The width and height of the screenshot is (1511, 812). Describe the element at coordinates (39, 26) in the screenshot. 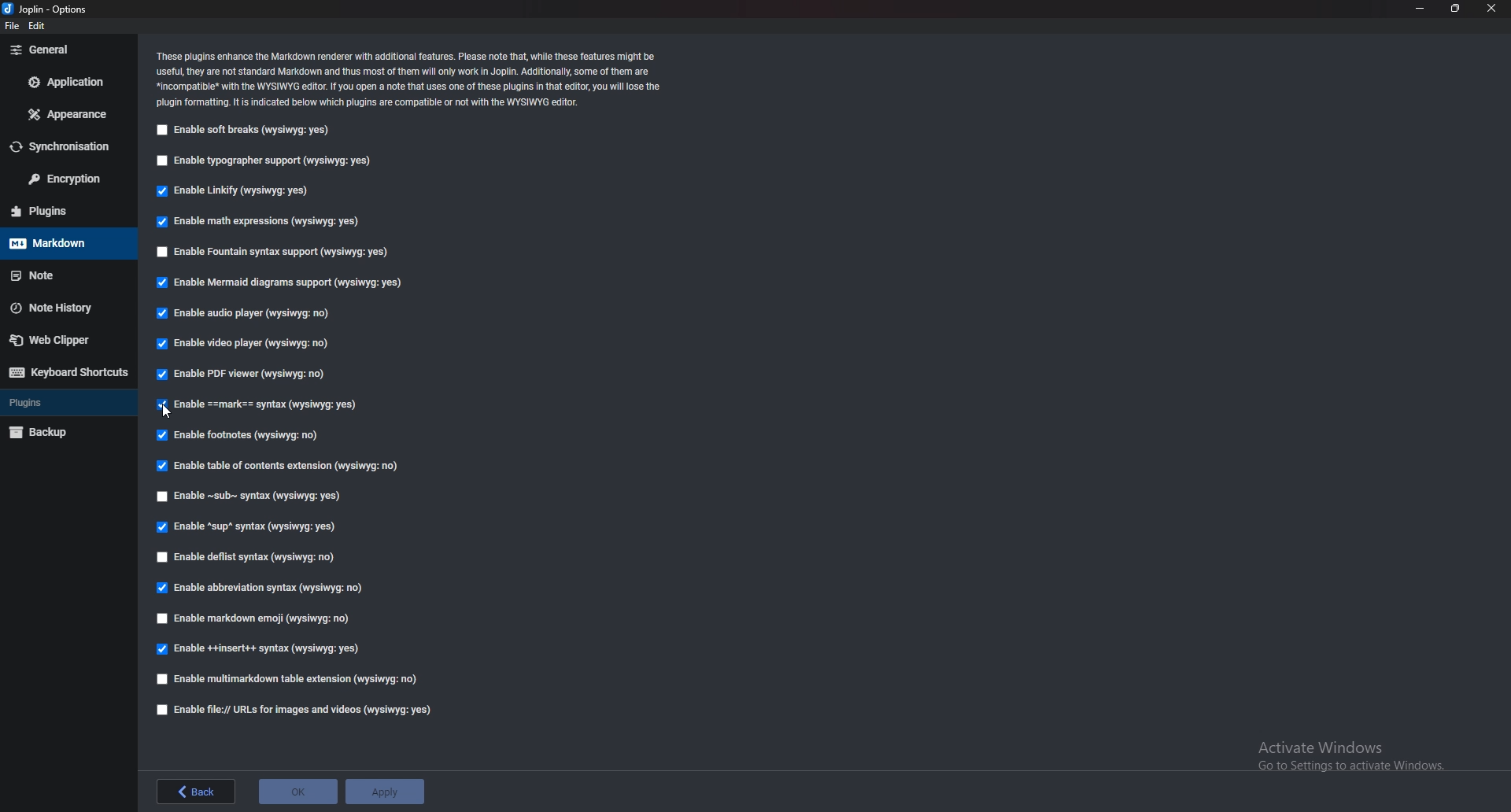

I see `edit` at that location.